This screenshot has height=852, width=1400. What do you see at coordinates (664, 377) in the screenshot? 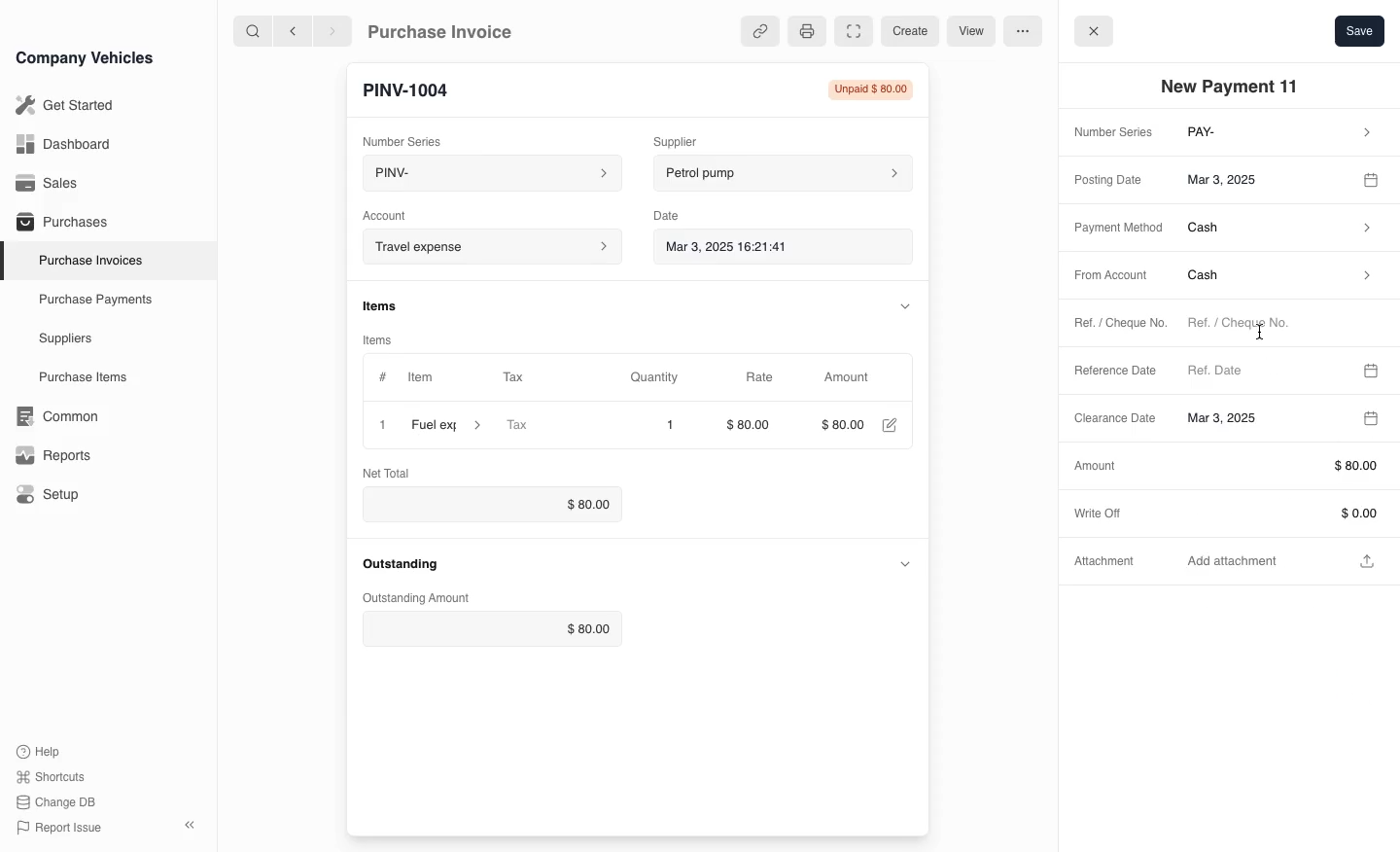
I see `Quantity` at bounding box center [664, 377].